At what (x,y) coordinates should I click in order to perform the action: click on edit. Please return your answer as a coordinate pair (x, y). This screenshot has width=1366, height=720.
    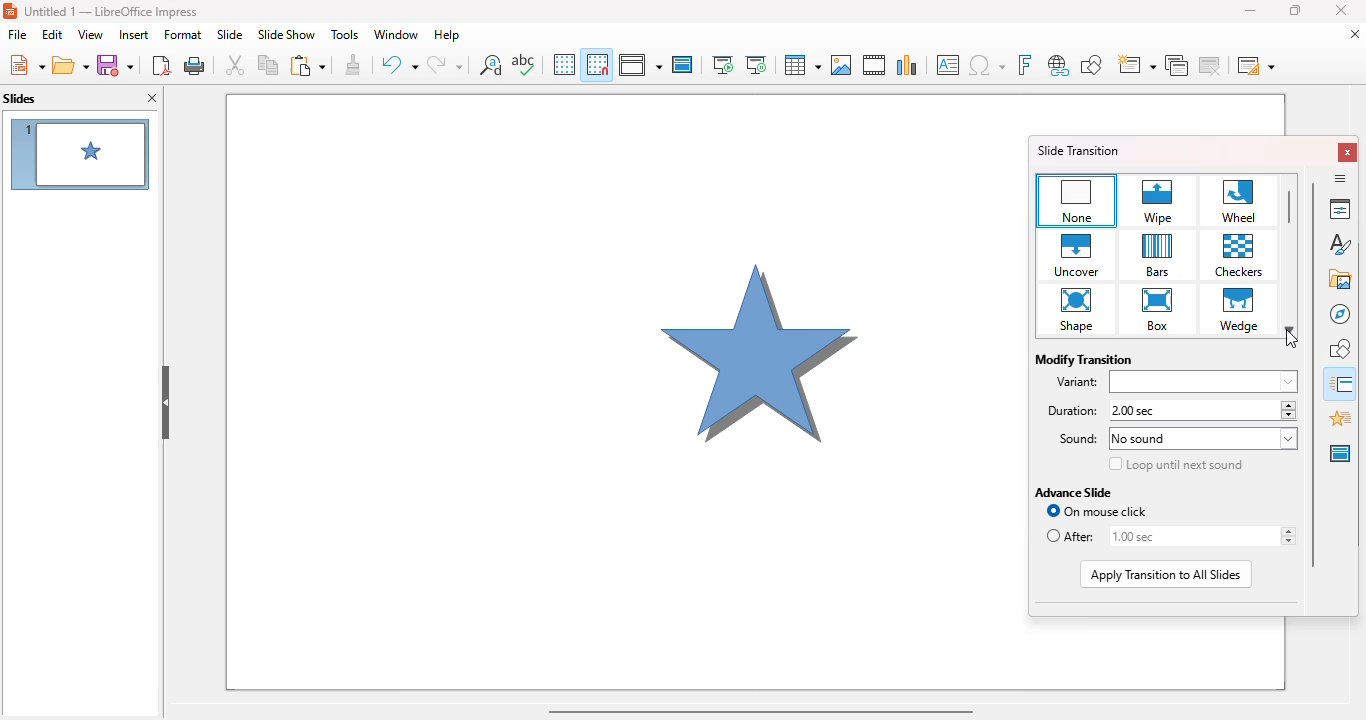
    Looking at the image, I should click on (53, 34).